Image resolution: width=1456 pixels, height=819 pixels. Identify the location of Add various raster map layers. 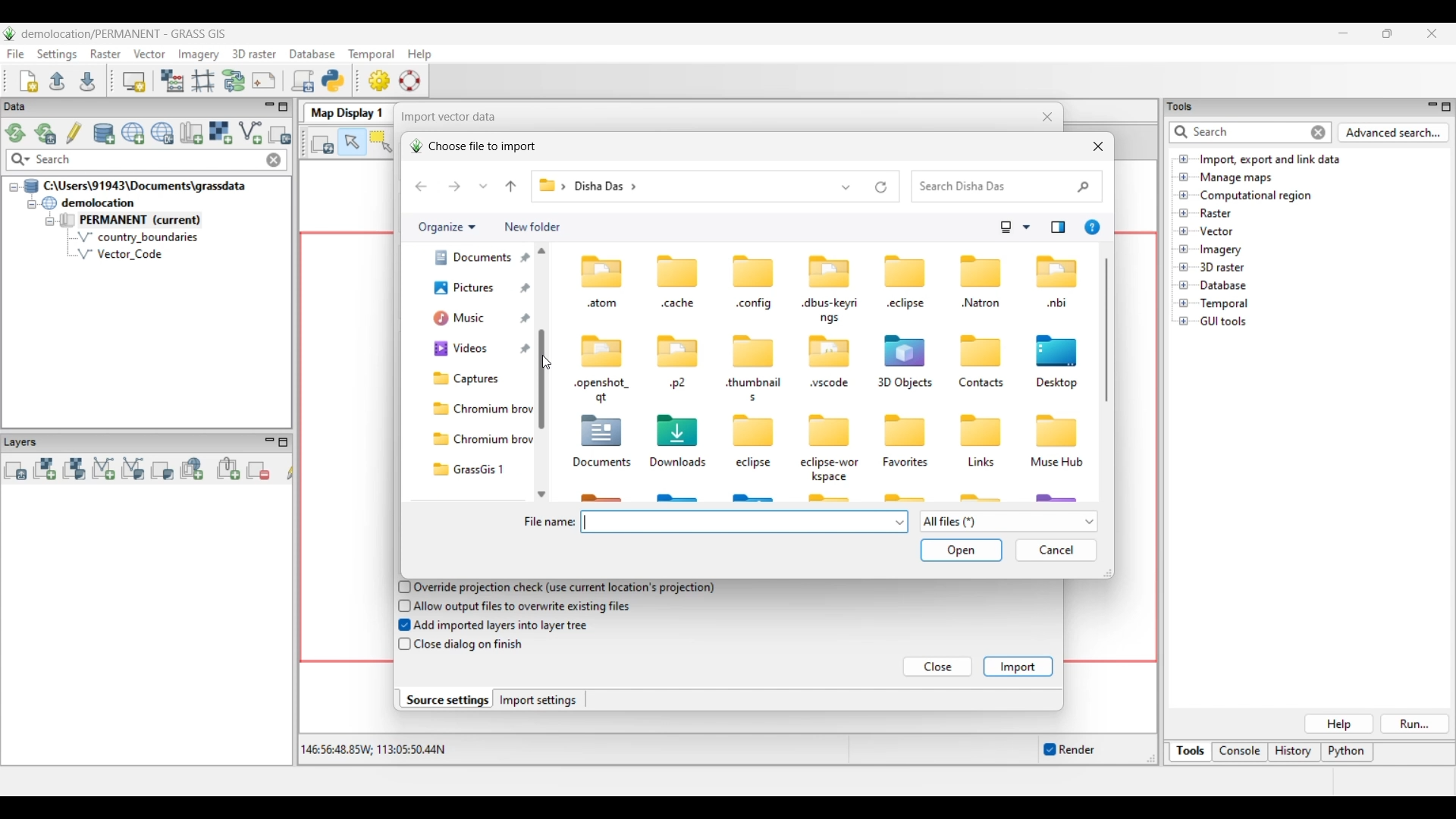
(74, 469).